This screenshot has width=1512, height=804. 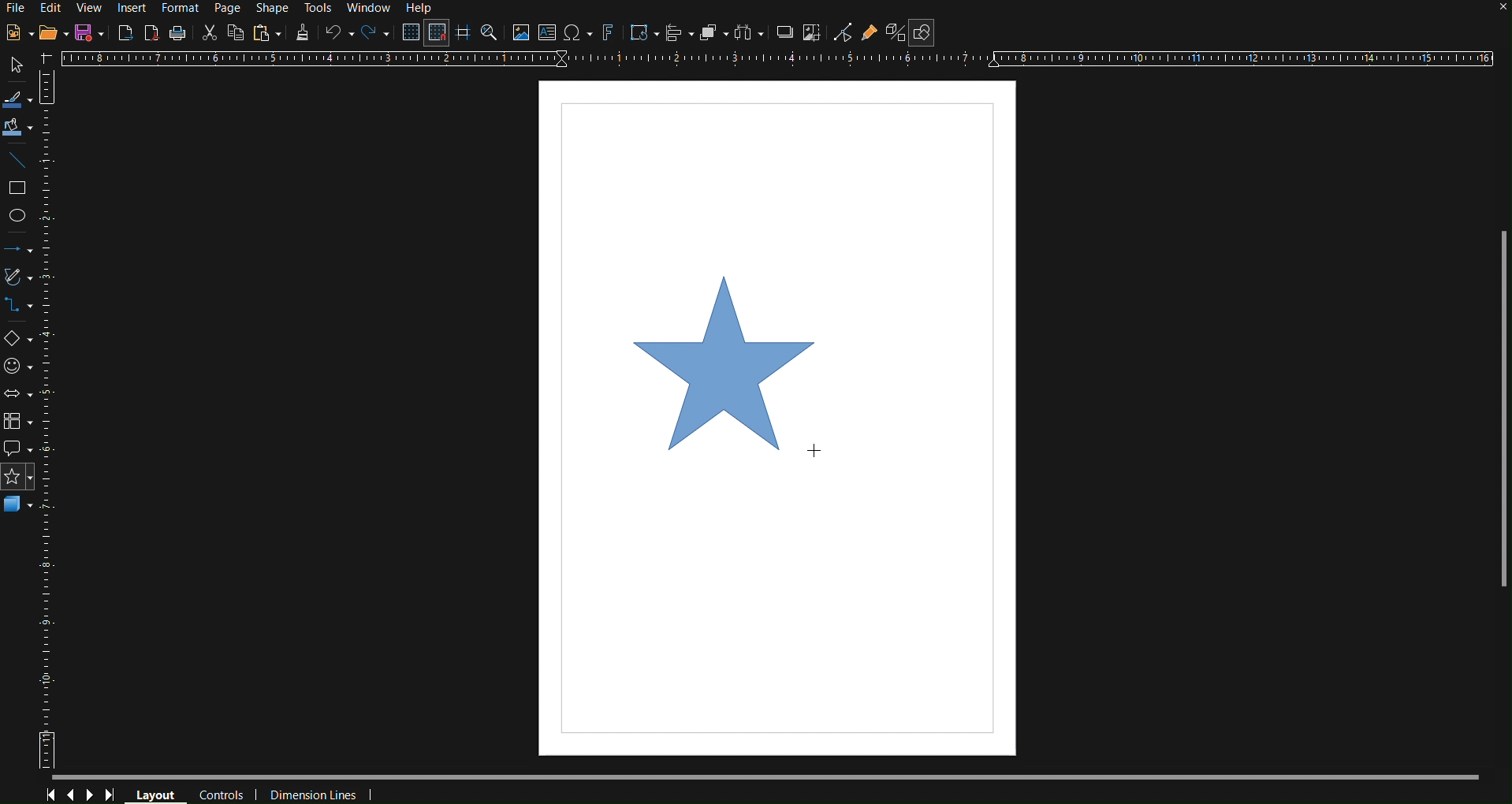 What do you see at coordinates (422, 9) in the screenshot?
I see `Help` at bounding box center [422, 9].